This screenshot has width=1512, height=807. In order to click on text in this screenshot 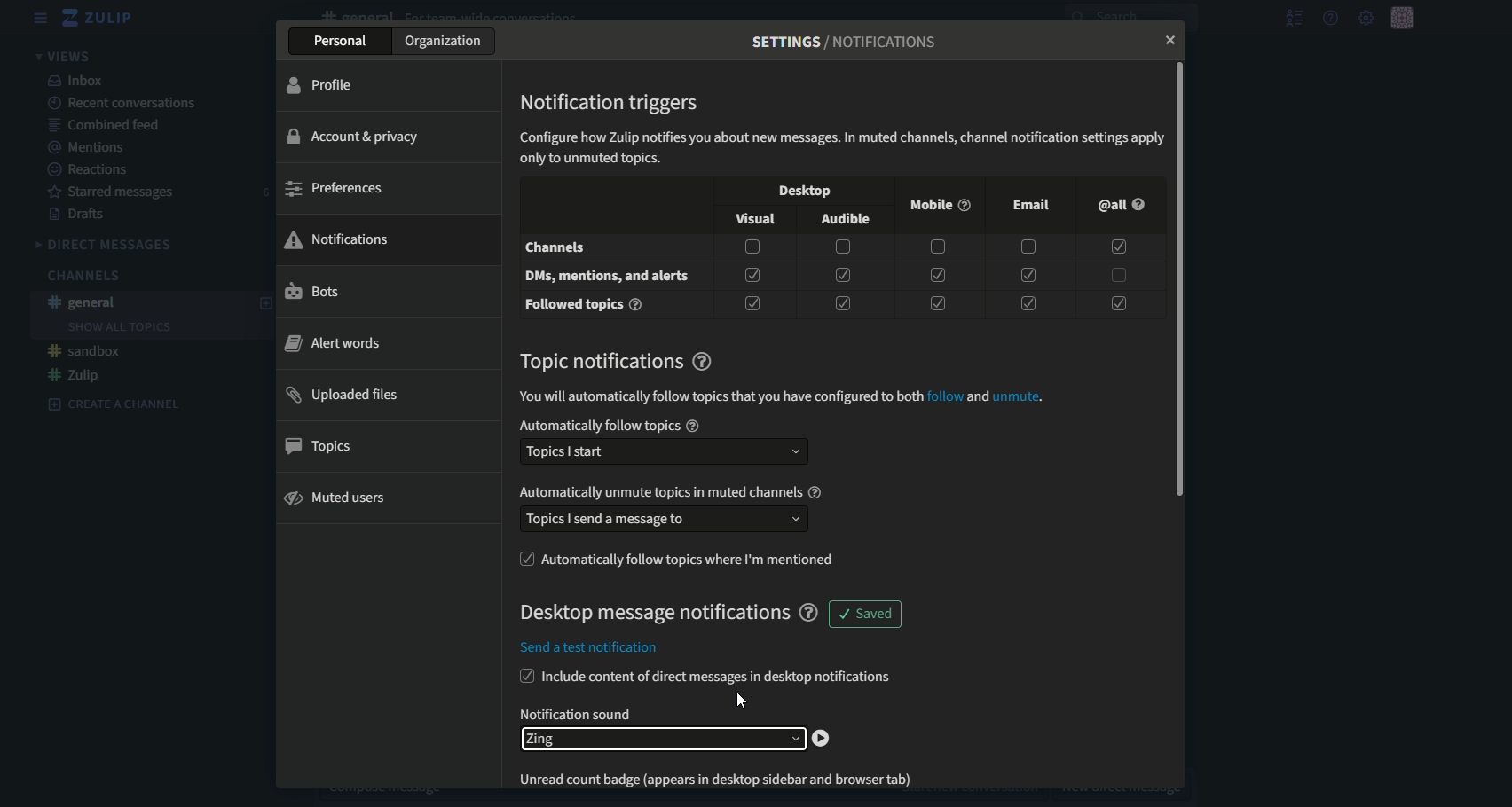, I will do `click(578, 713)`.